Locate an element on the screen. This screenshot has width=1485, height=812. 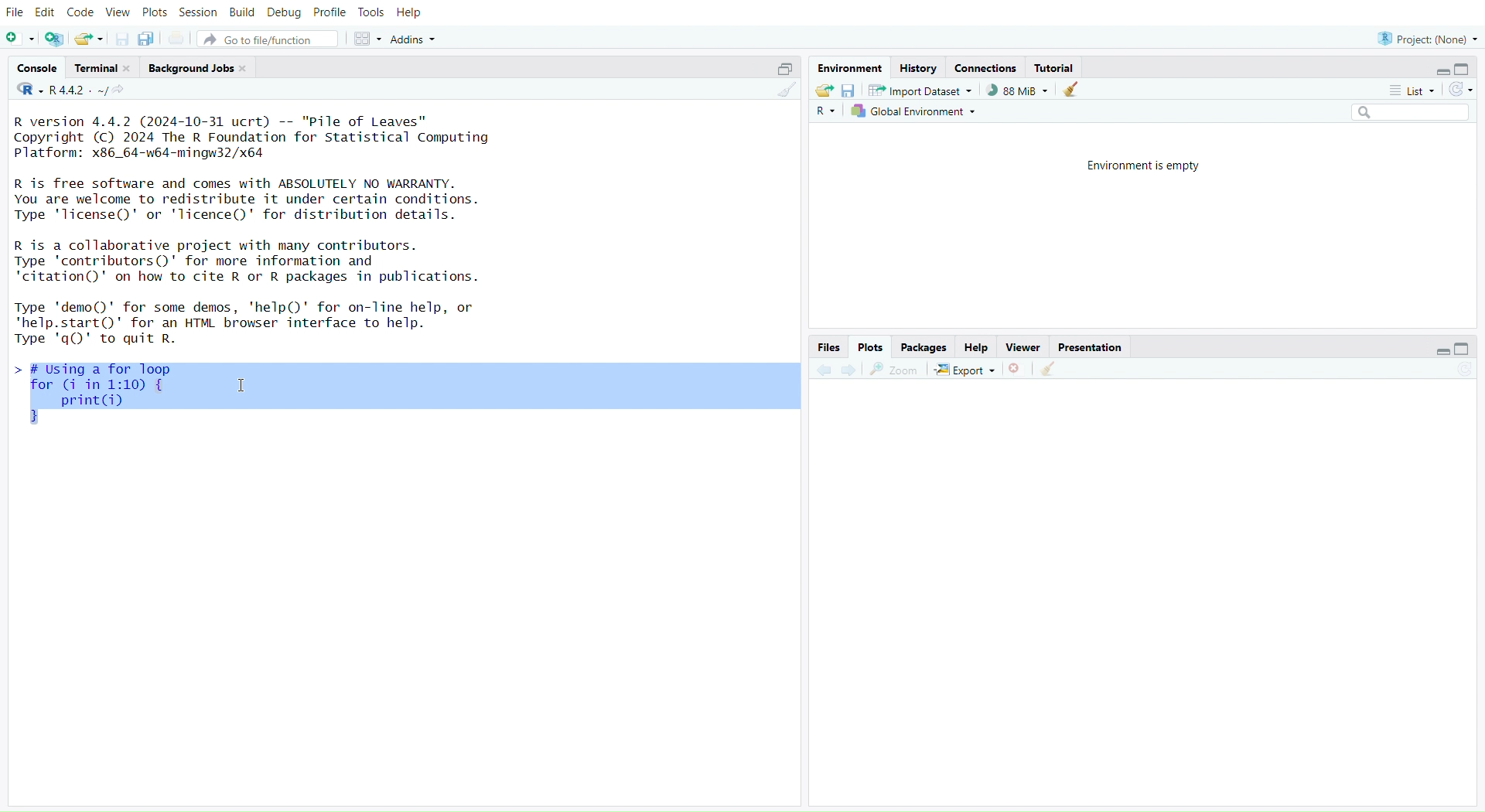
R version 4.4.2 (2024-10-31 ucrt) -- "Pile of Leaves"
Copyright (C) 2024 The R Foundation for Statistical Computing
Platform: x86_64-w64-mingw32/x64
R is free software and comes with ABSOLUTELY NO WARRANTY.
You are welcome to redistribute it under certain conditions.
Type 'license()' or 'licence()' for distribution details.
R is a collaborative project with many contributors.
Type 'contributors()' for more information and
"citation()' on how to cite R or R packages in publications.
Type 'demo()' for some demos, 'help()' for on-line help, or
"help.start()' for an HTML browser interface to help.
Type 'q()' to quit R.
-

I is located at coordinates (265, 228).